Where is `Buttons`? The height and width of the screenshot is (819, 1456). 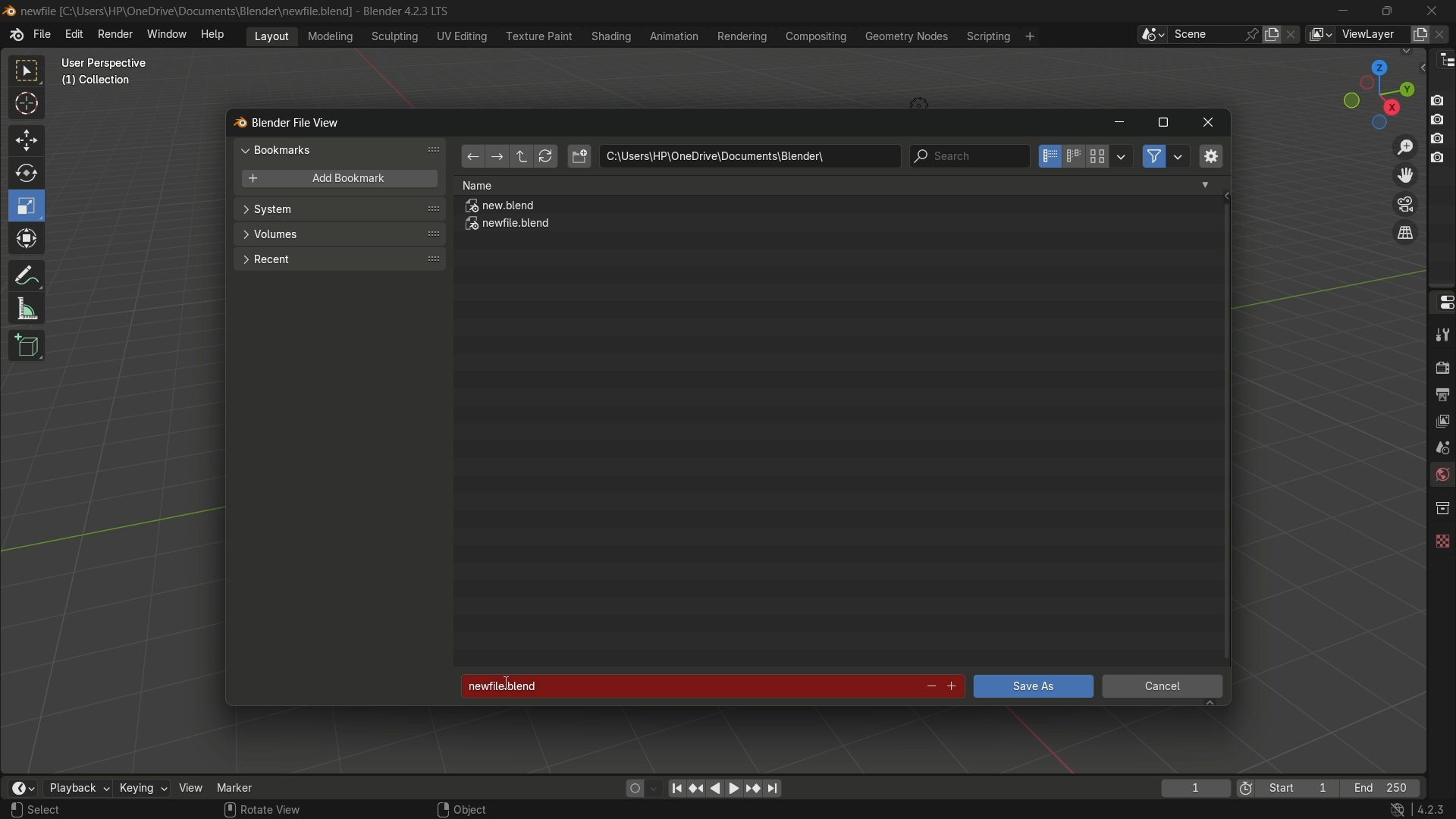
Buttons is located at coordinates (1443, 127).